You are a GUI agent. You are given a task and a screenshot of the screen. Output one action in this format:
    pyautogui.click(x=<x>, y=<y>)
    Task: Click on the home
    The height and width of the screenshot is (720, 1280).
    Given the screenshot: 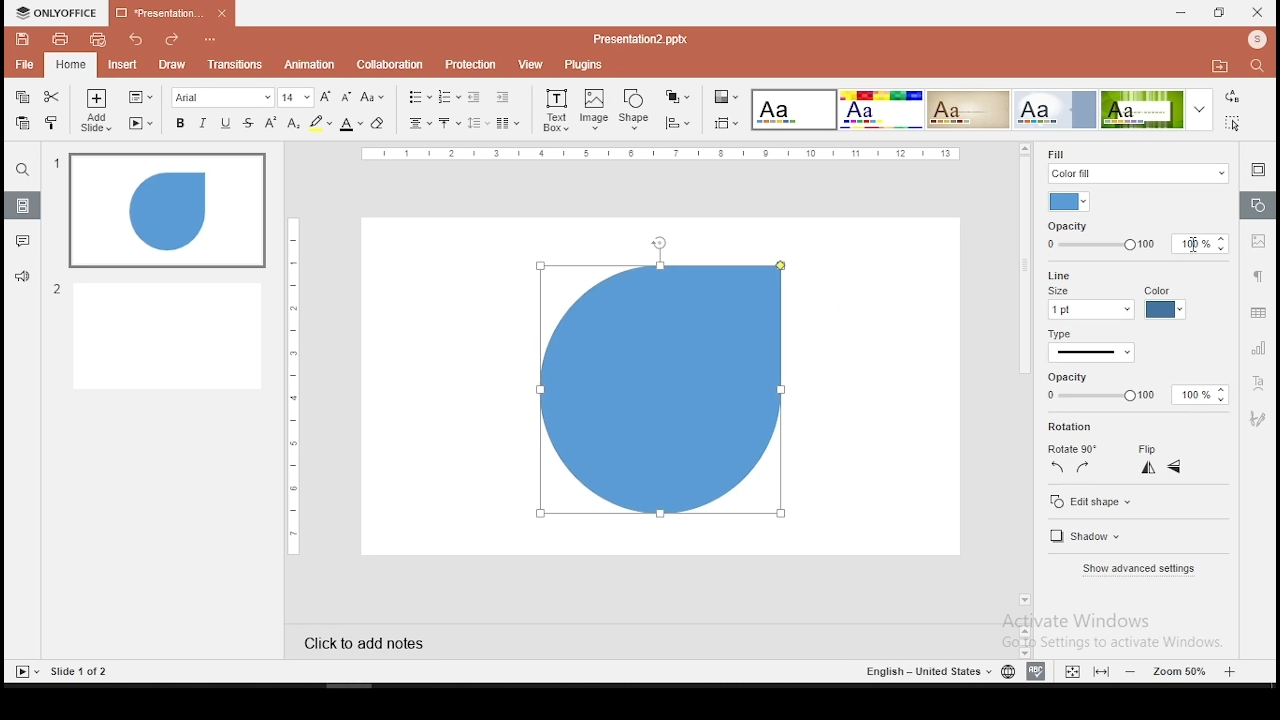 What is the action you would take?
    pyautogui.click(x=70, y=66)
    